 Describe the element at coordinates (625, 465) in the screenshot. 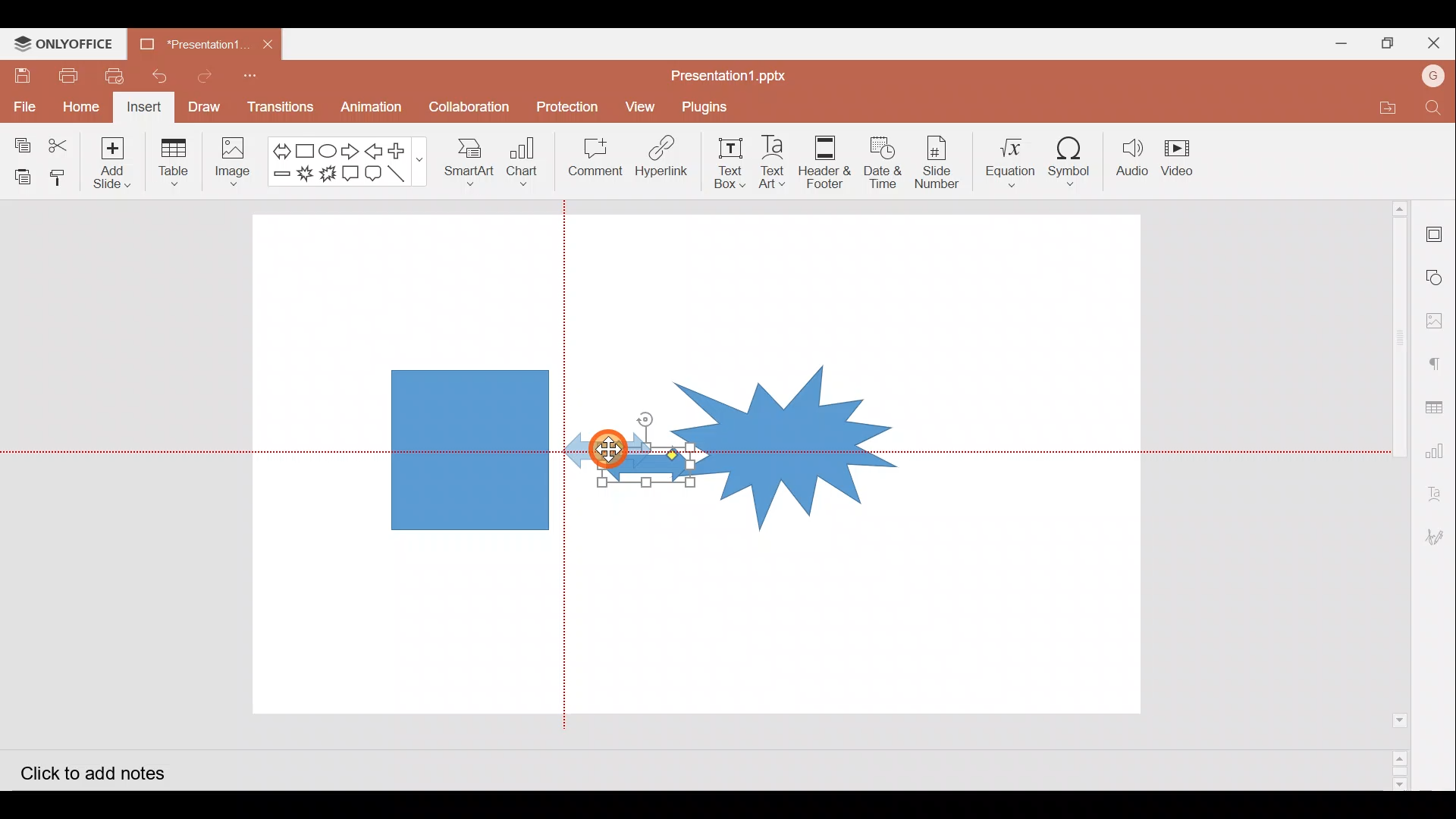

I see `Left right arrow` at that location.